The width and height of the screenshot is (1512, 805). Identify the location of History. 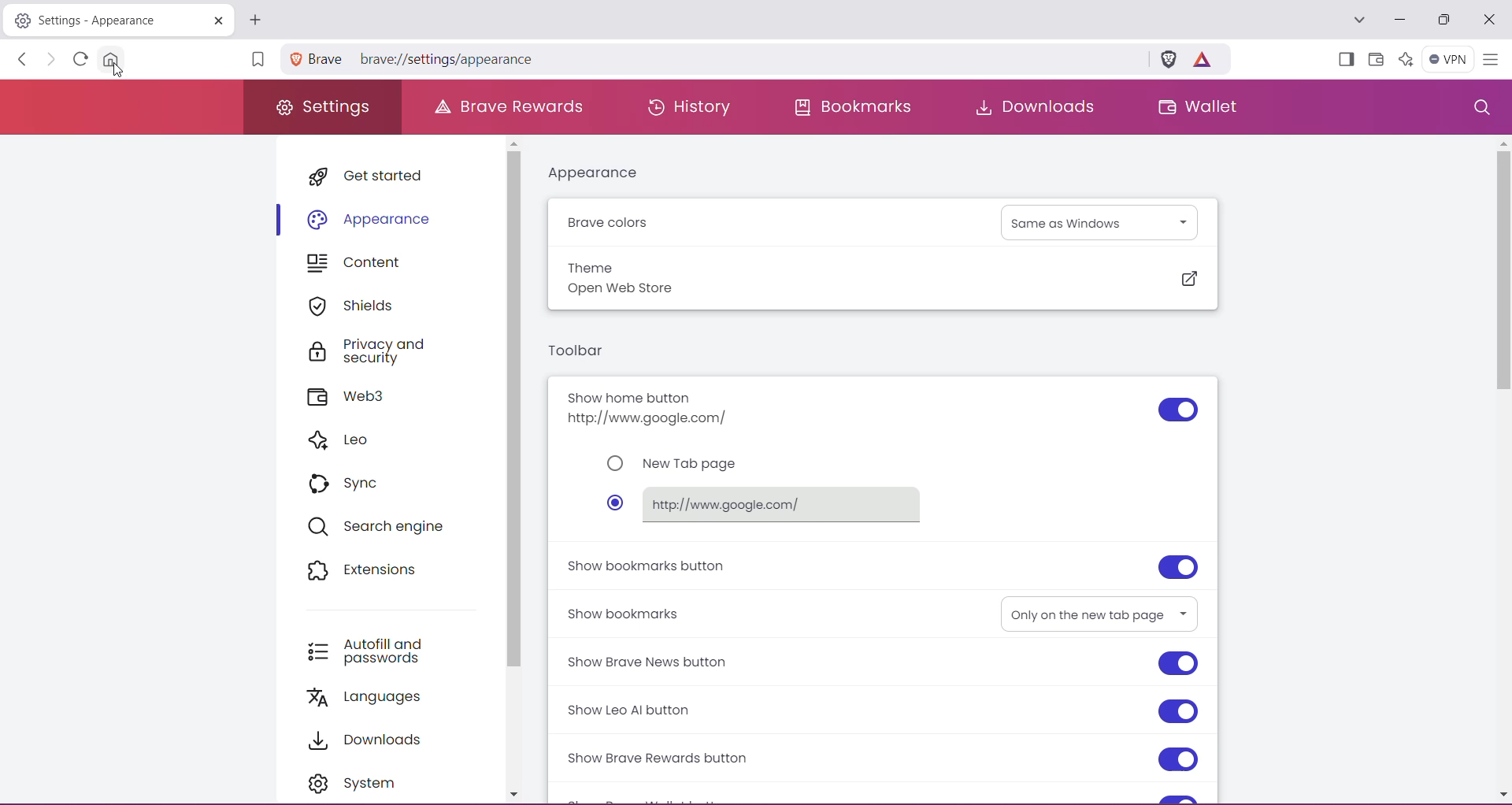
(685, 106).